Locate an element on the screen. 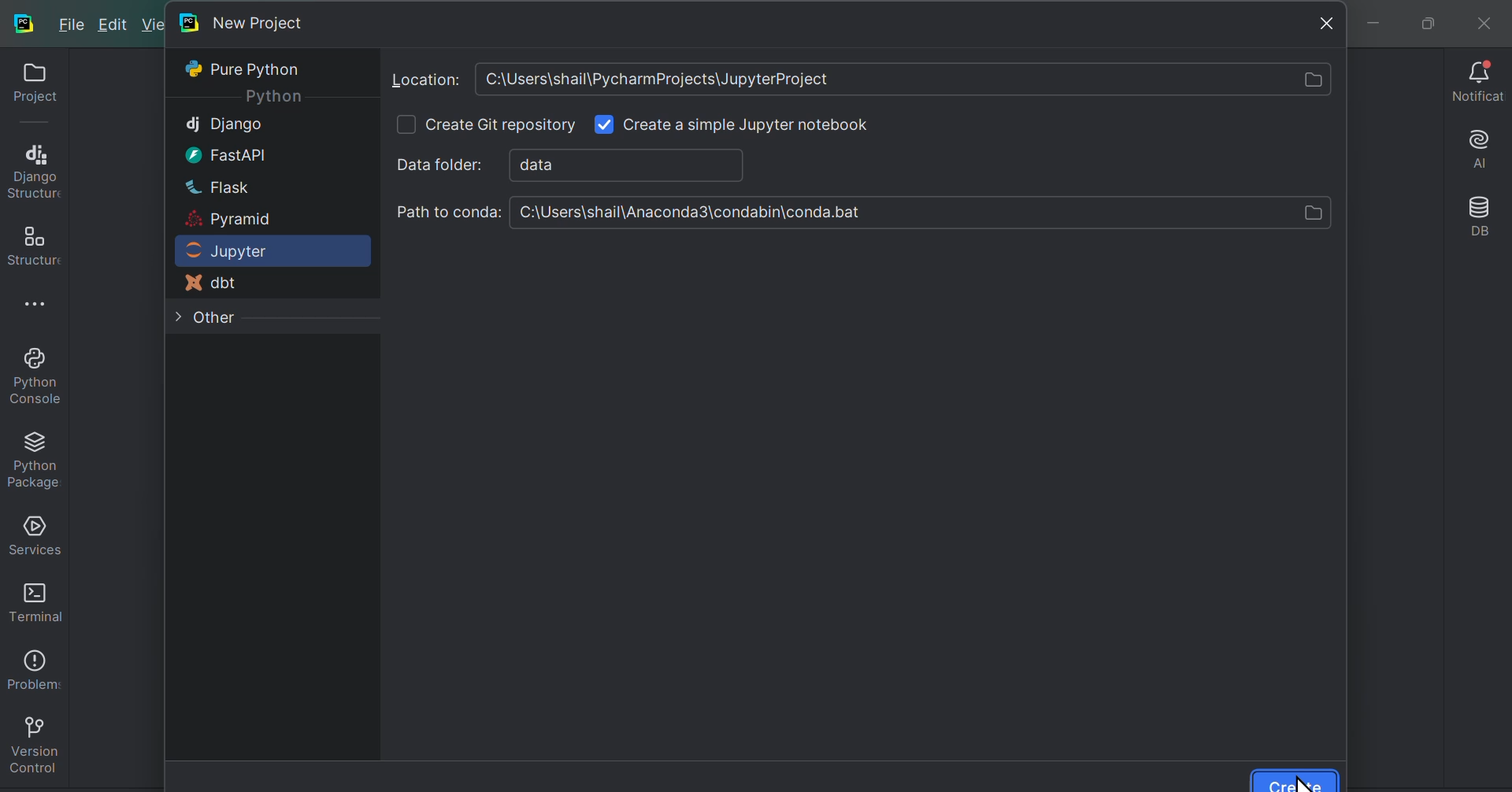 The image size is (1512, 792). Pyramid is located at coordinates (230, 220).